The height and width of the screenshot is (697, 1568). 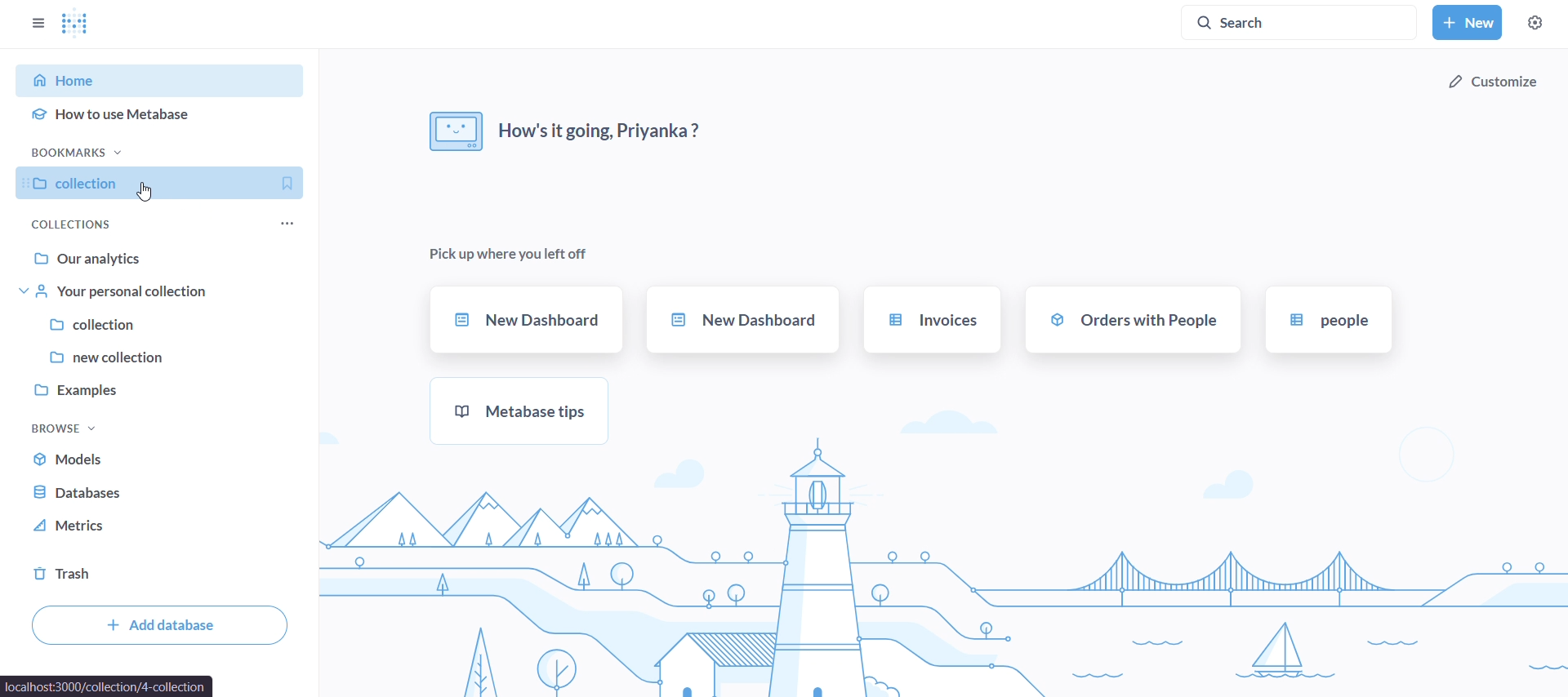 What do you see at coordinates (103, 573) in the screenshot?
I see `trash ` at bounding box center [103, 573].